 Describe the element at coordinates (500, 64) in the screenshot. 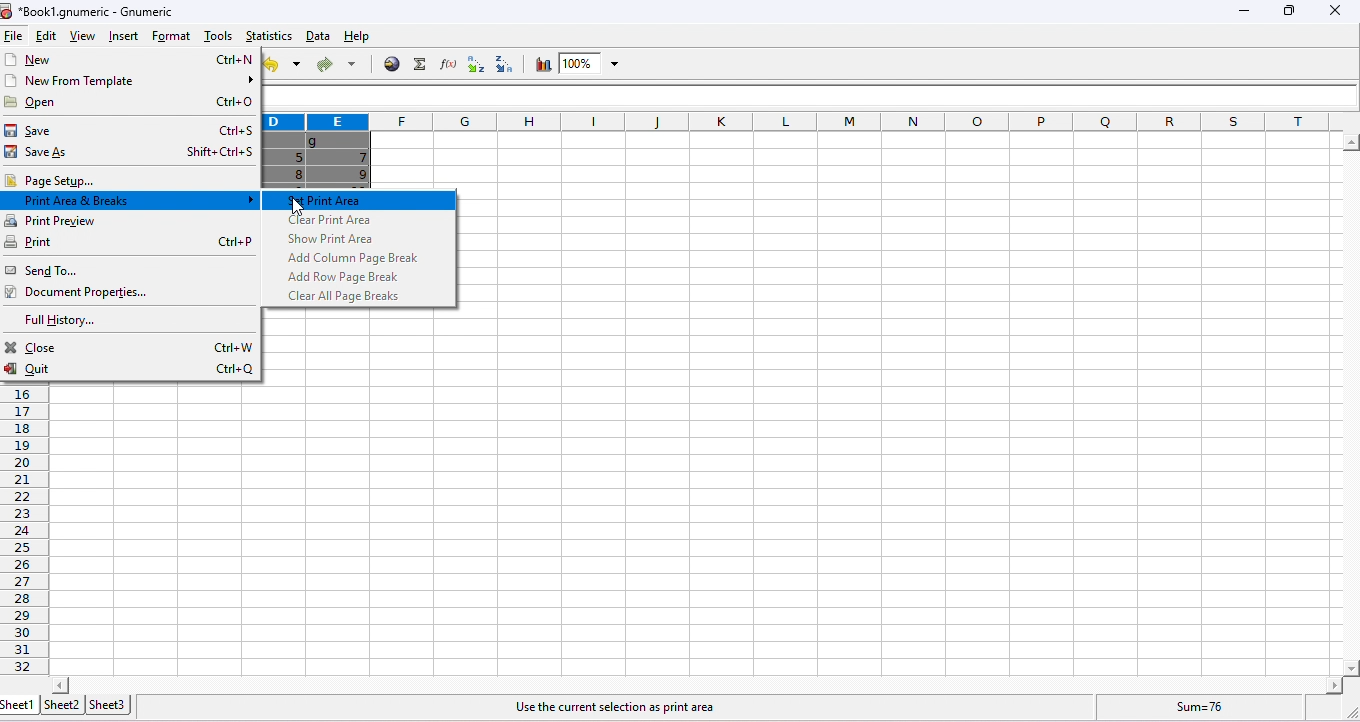

I see `sort descending` at that location.